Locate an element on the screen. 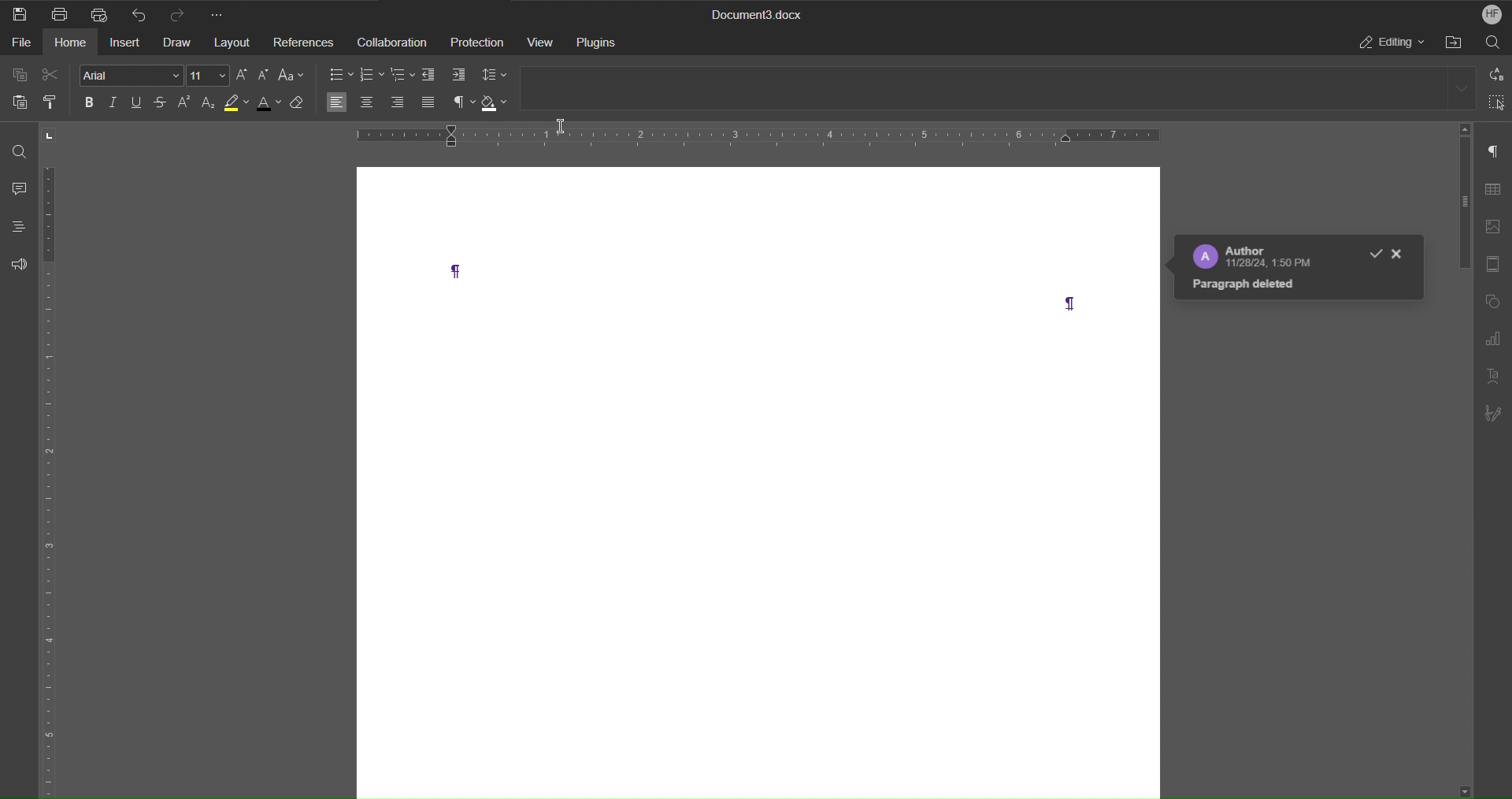  HF is located at coordinates (1492, 13).